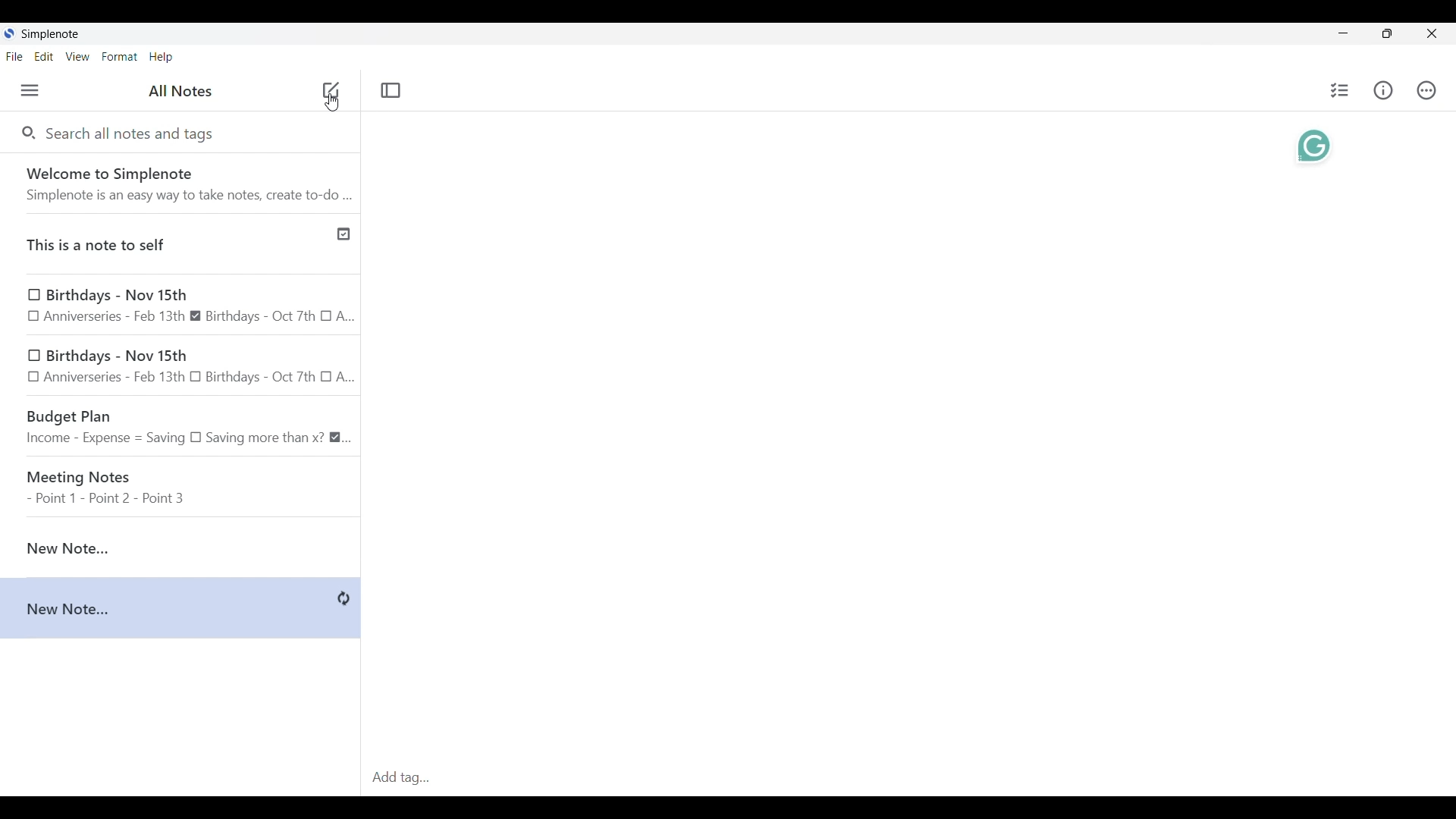  I want to click on Actions, so click(1426, 89).